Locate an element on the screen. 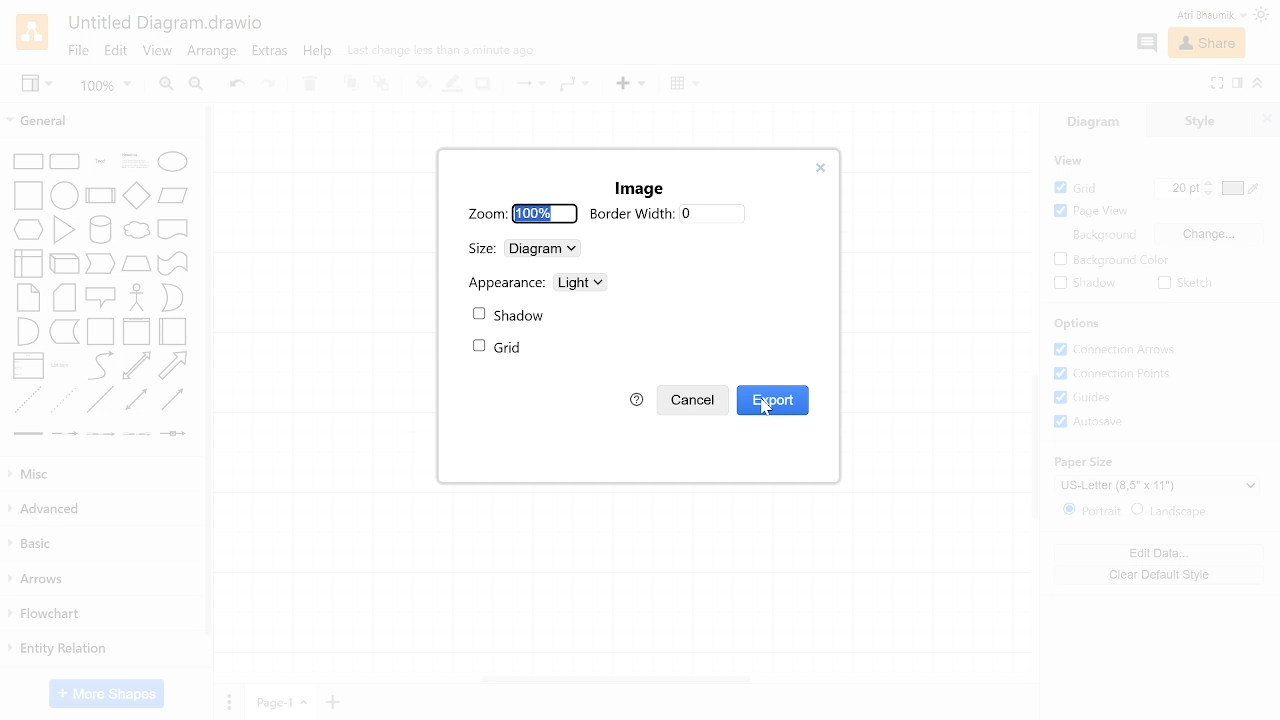 The image size is (1280, 720). Potrait is located at coordinates (1090, 510).